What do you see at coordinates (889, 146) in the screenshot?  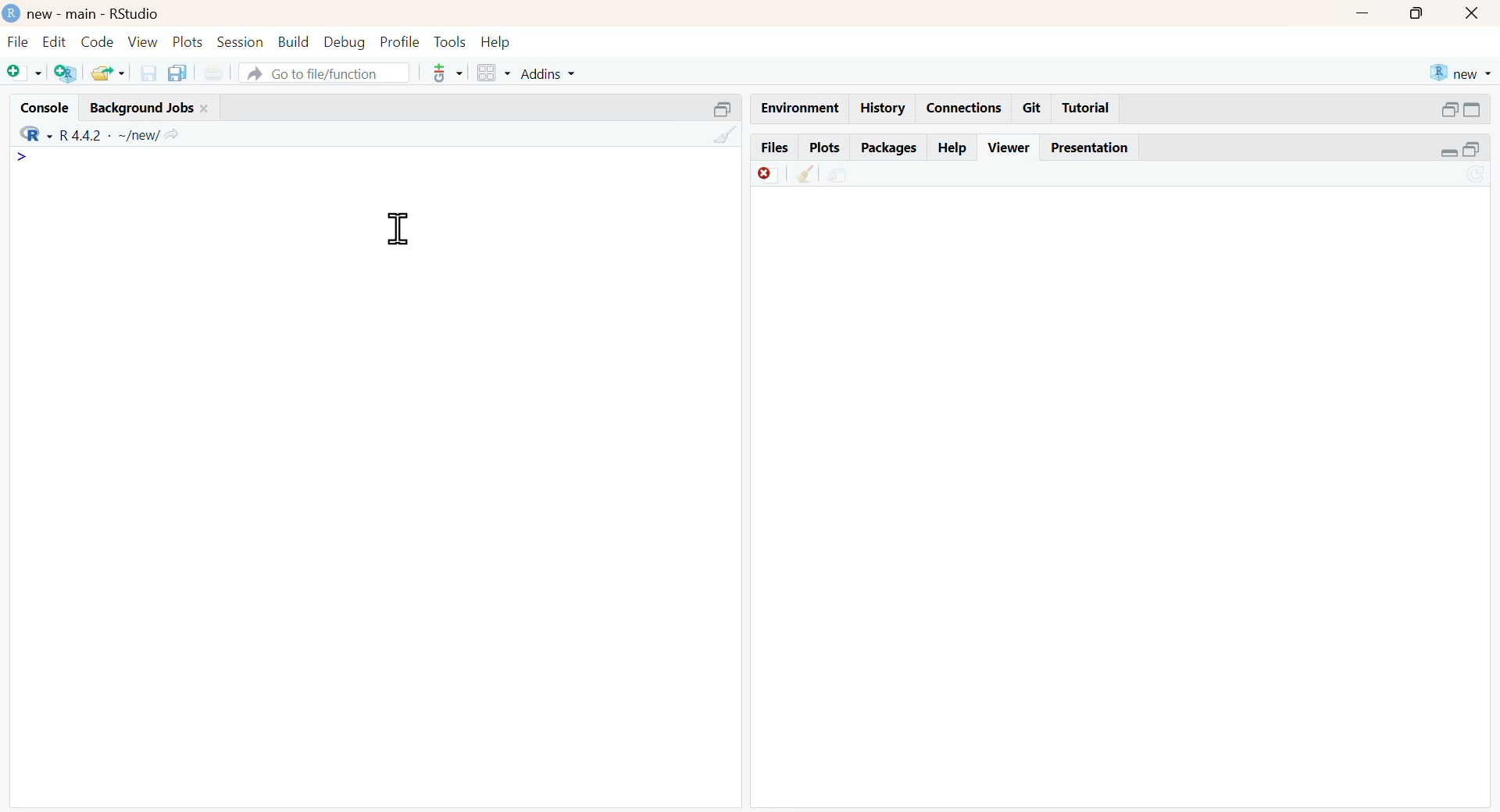 I see `Packages` at bounding box center [889, 146].